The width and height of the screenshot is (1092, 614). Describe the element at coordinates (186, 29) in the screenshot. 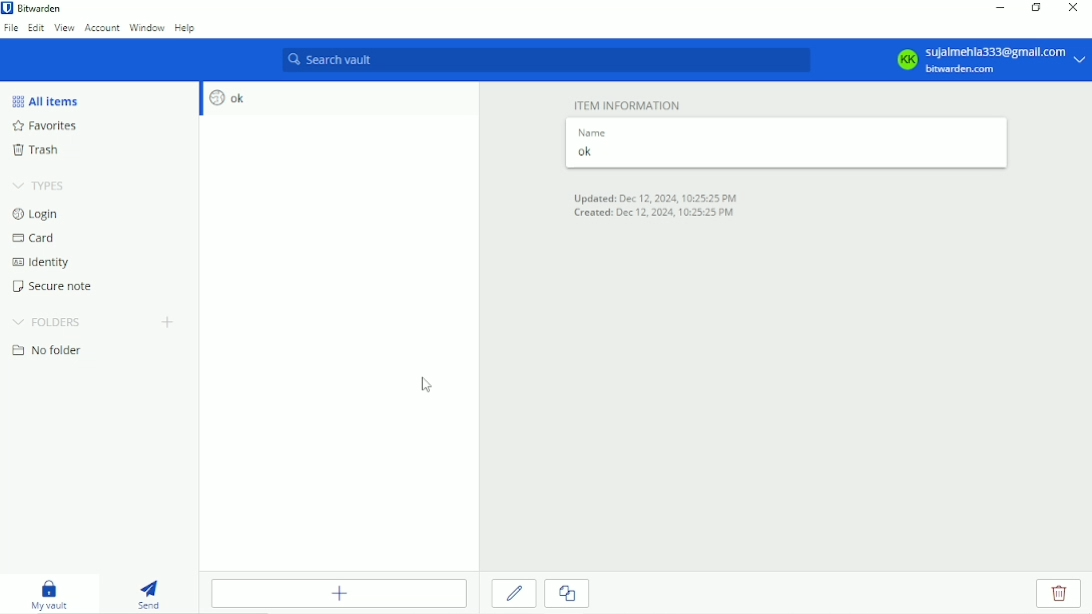

I see `Help` at that location.